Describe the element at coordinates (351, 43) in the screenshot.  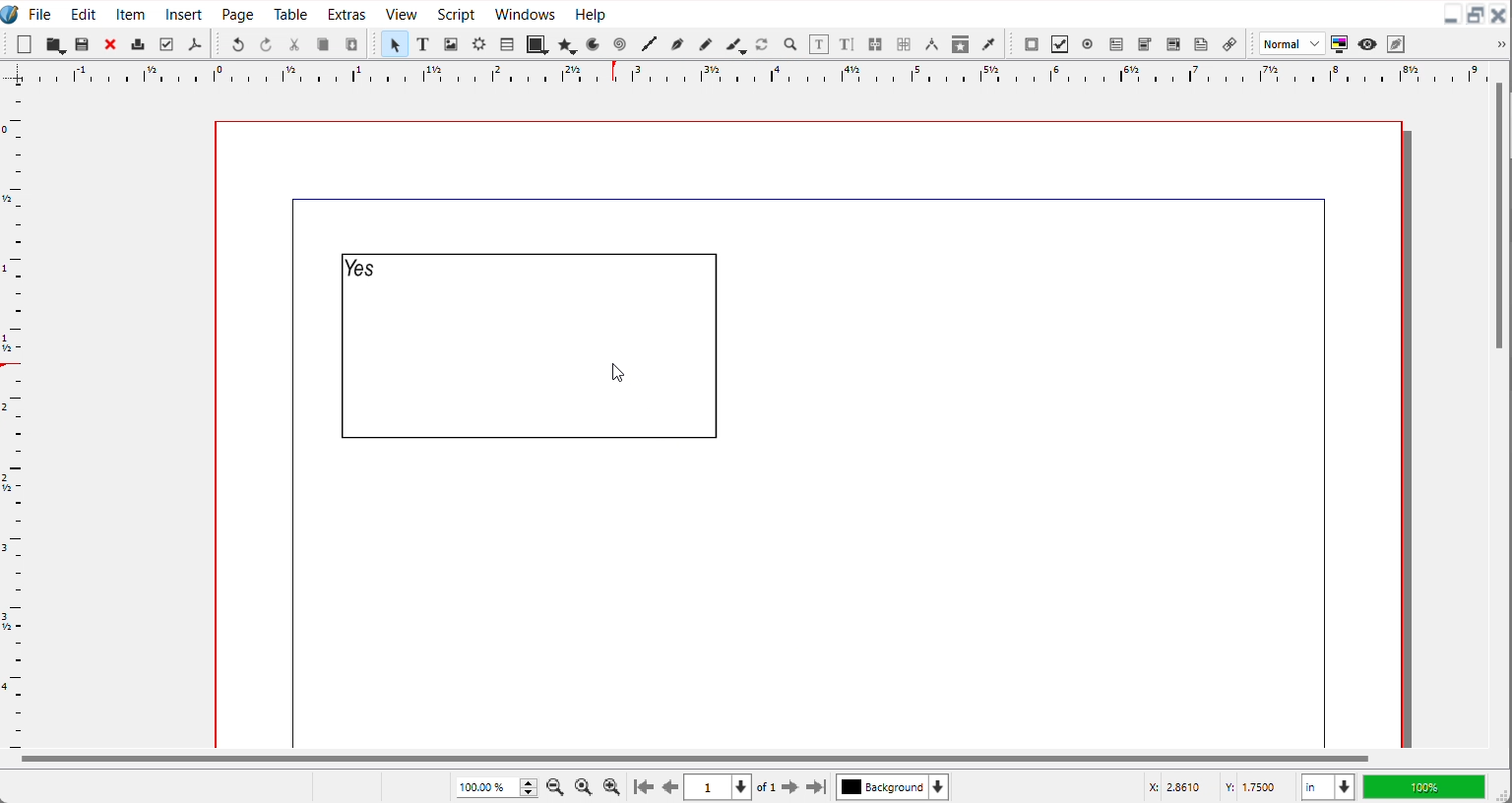
I see `Paste` at that location.